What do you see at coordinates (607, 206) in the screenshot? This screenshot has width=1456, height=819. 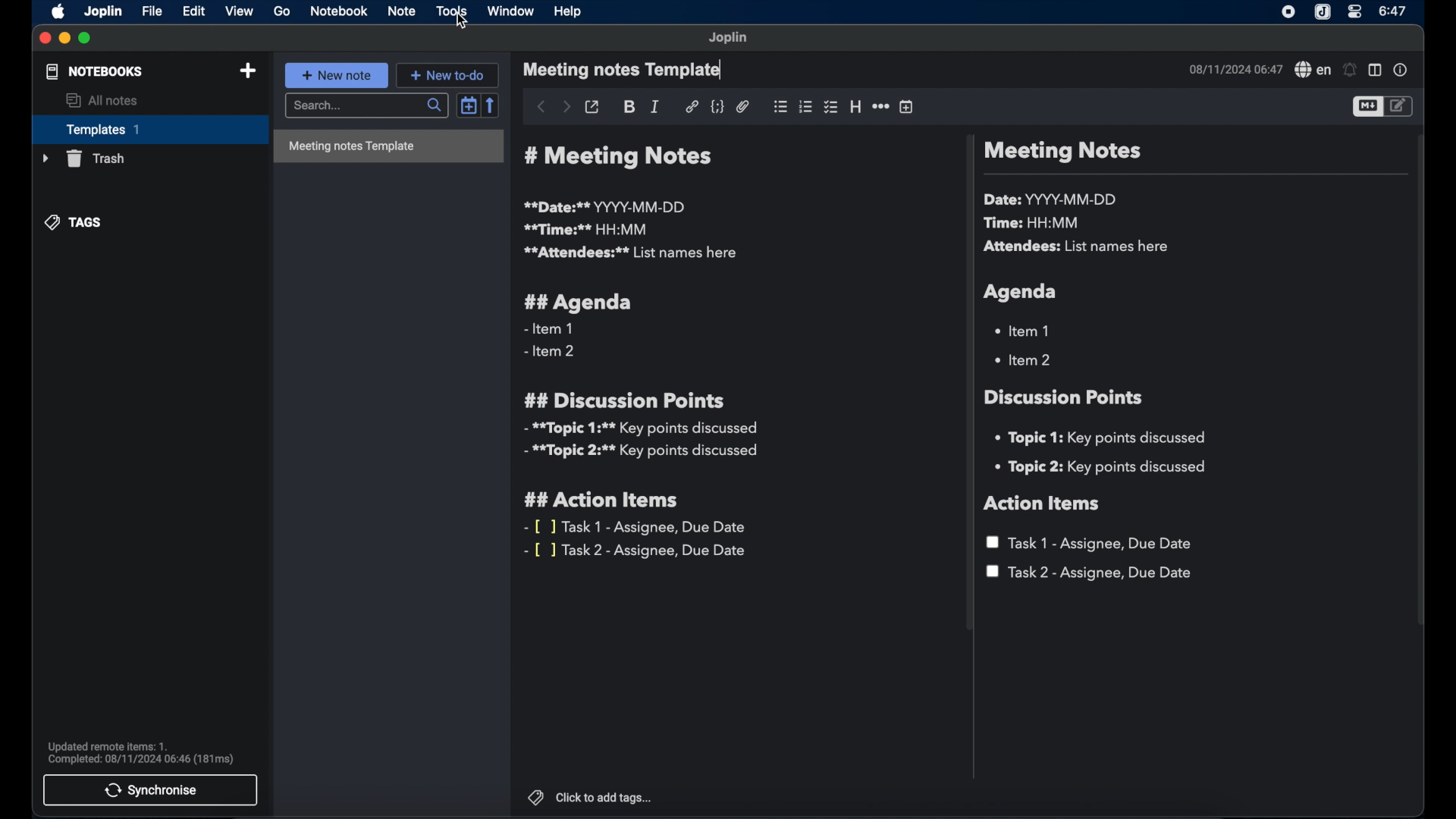 I see `**date:** YYYY-MM-DD` at bounding box center [607, 206].